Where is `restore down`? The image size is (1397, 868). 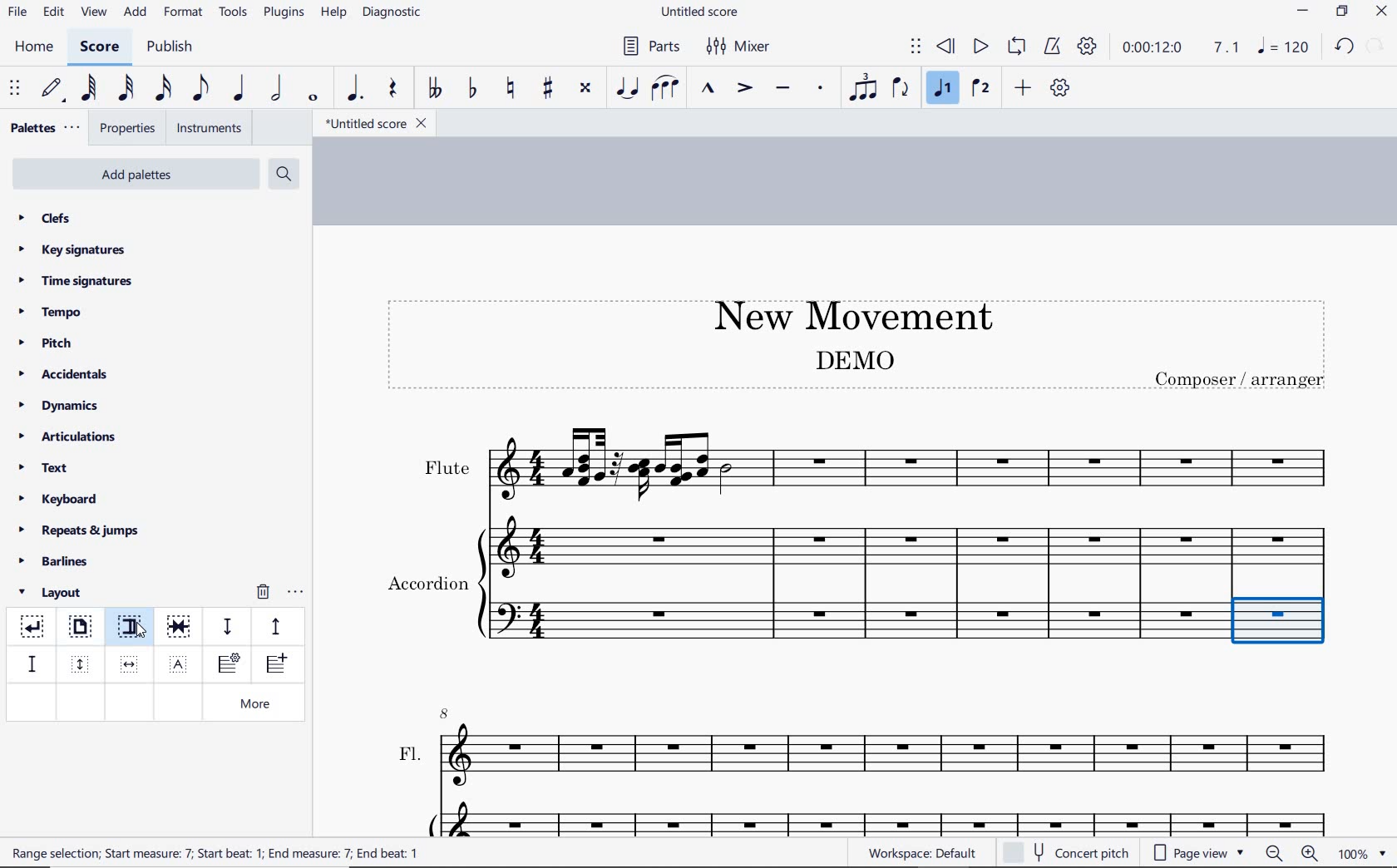
restore down is located at coordinates (1343, 12).